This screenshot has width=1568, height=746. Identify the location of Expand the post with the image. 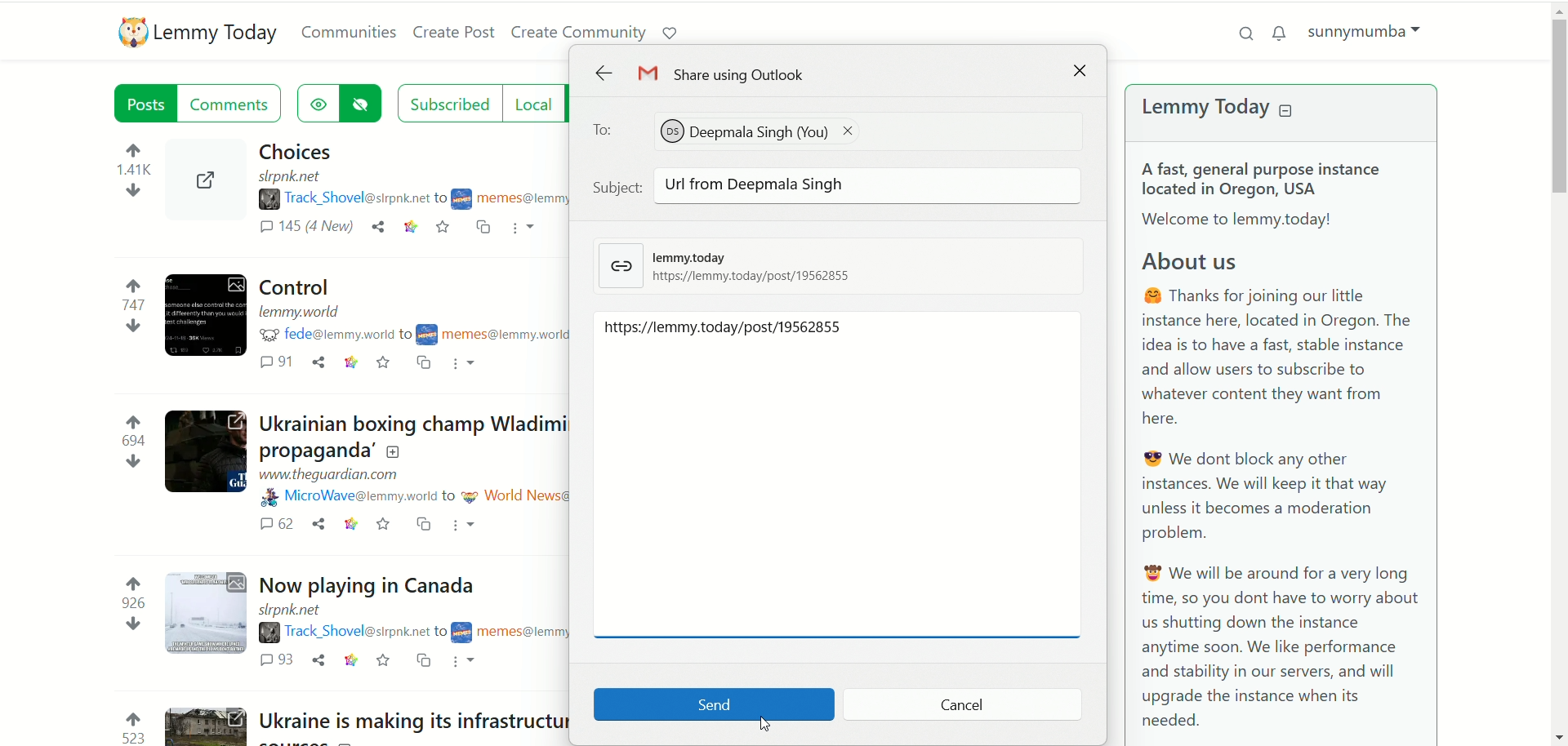
(205, 181).